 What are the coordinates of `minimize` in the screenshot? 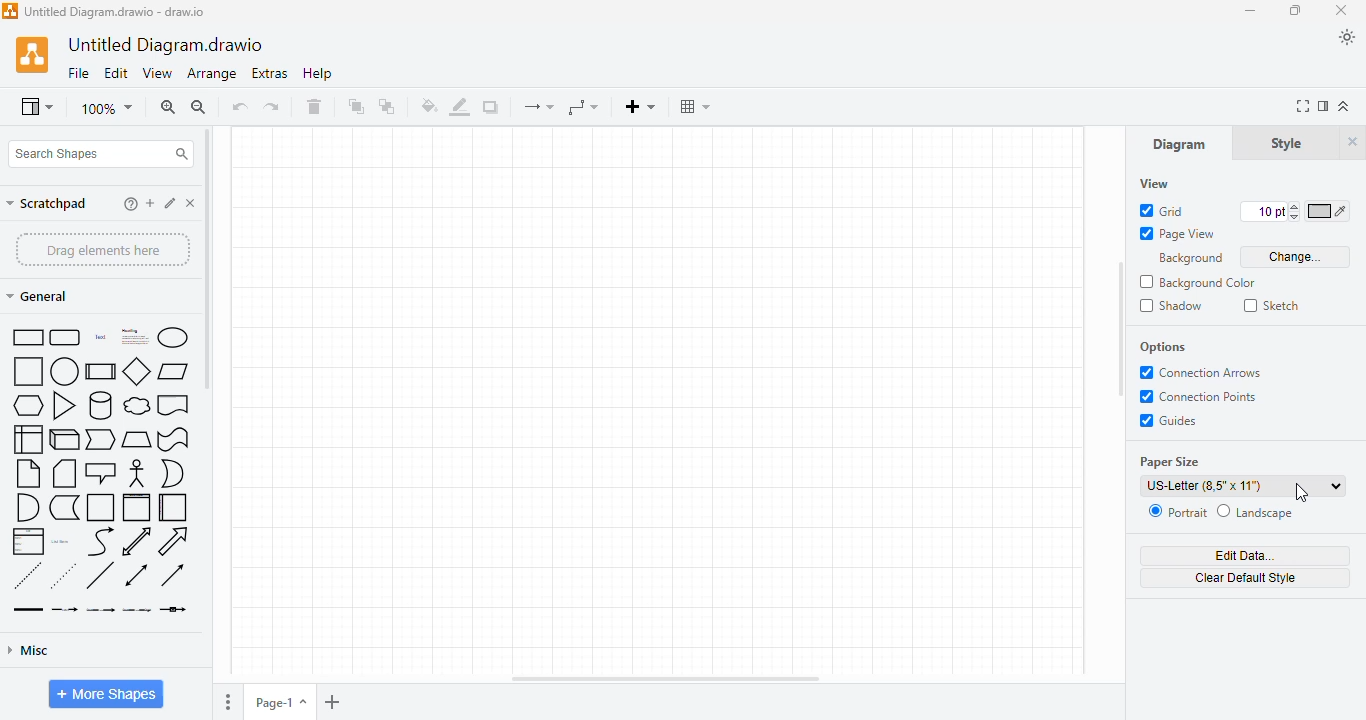 It's located at (1250, 12).